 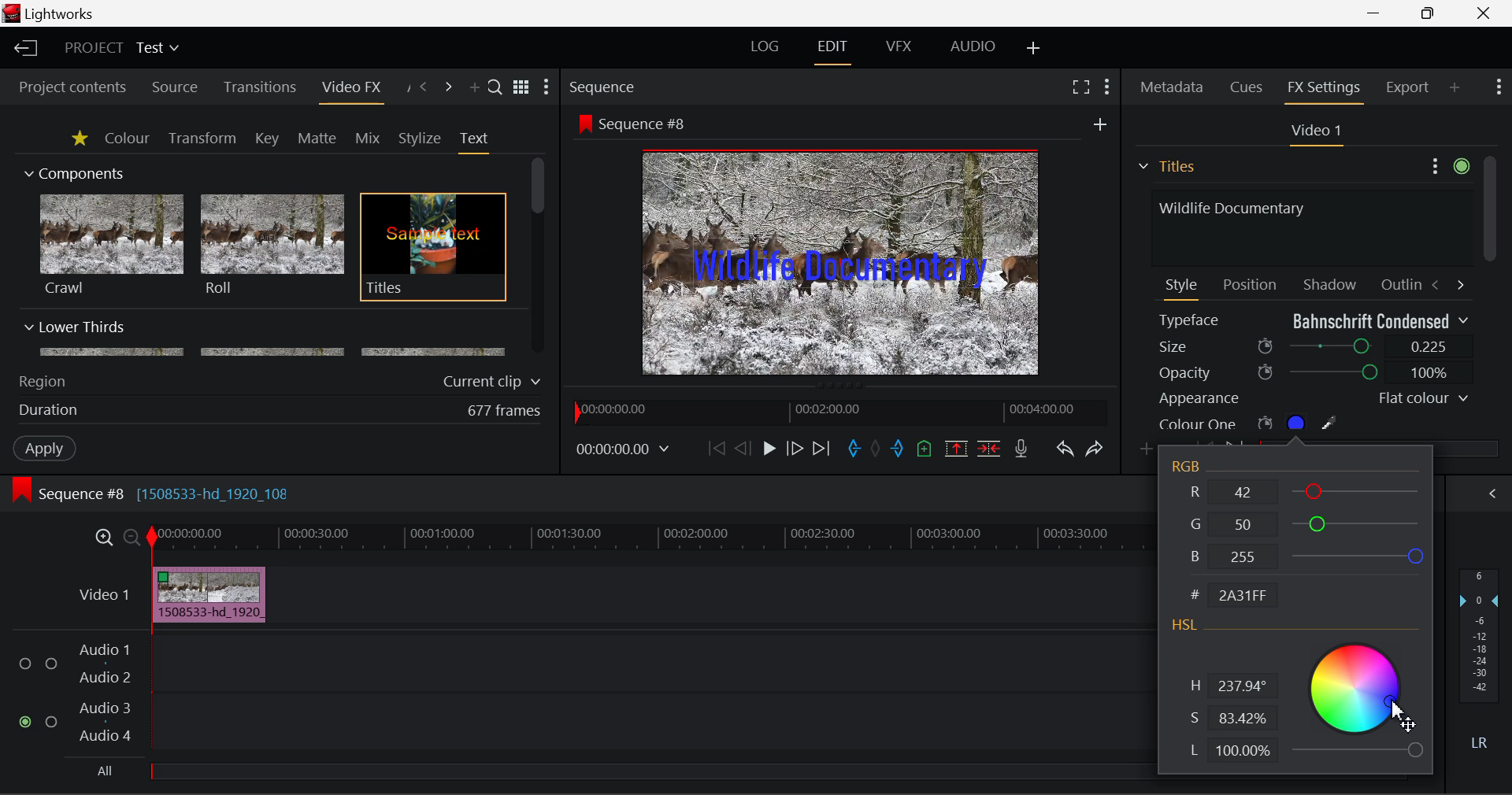 What do you see at coordinates (367, 139) in the screenshot?
I see `Mix` at bounding box center [367, 139].